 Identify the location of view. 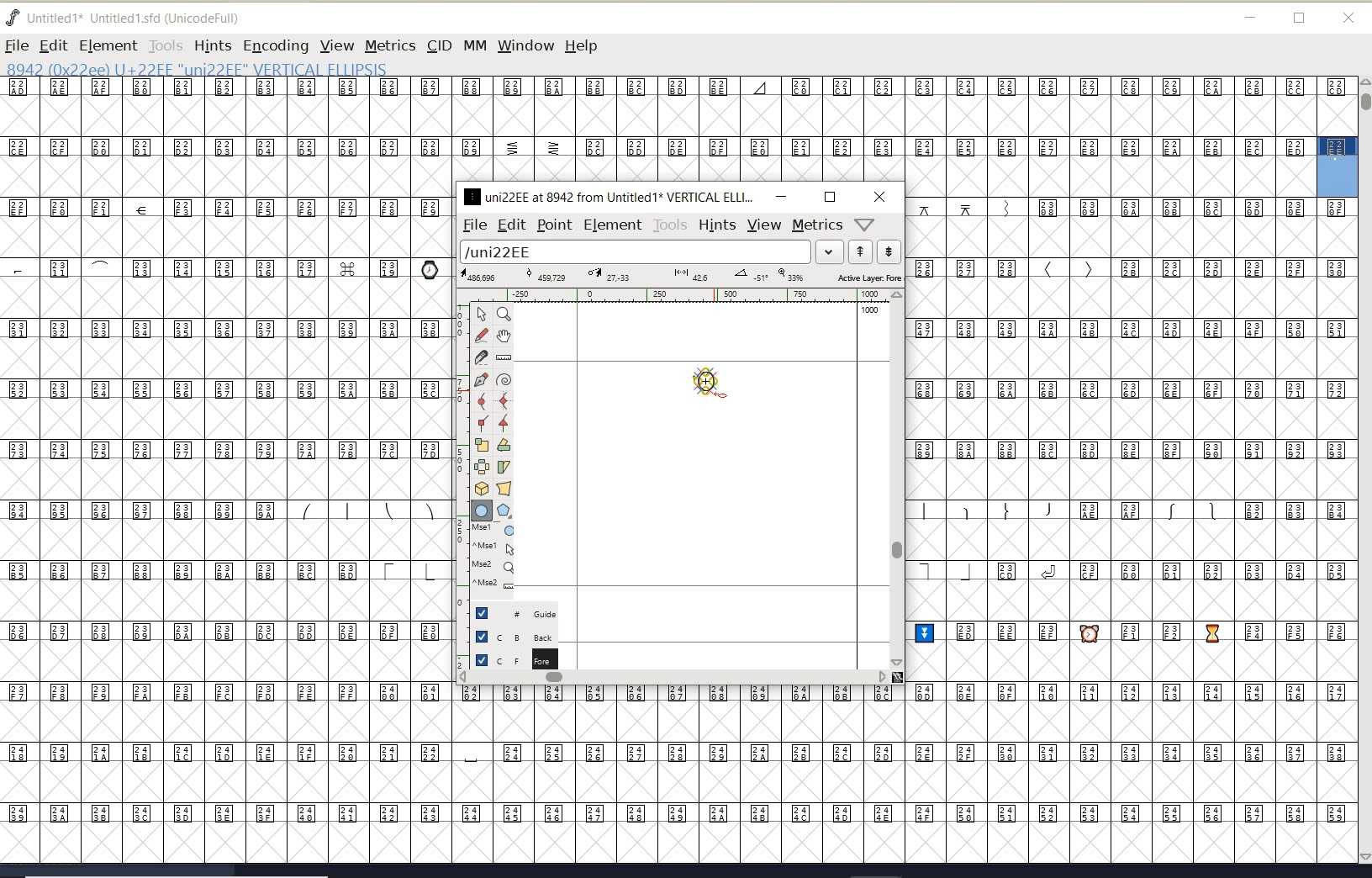
(764, 225).